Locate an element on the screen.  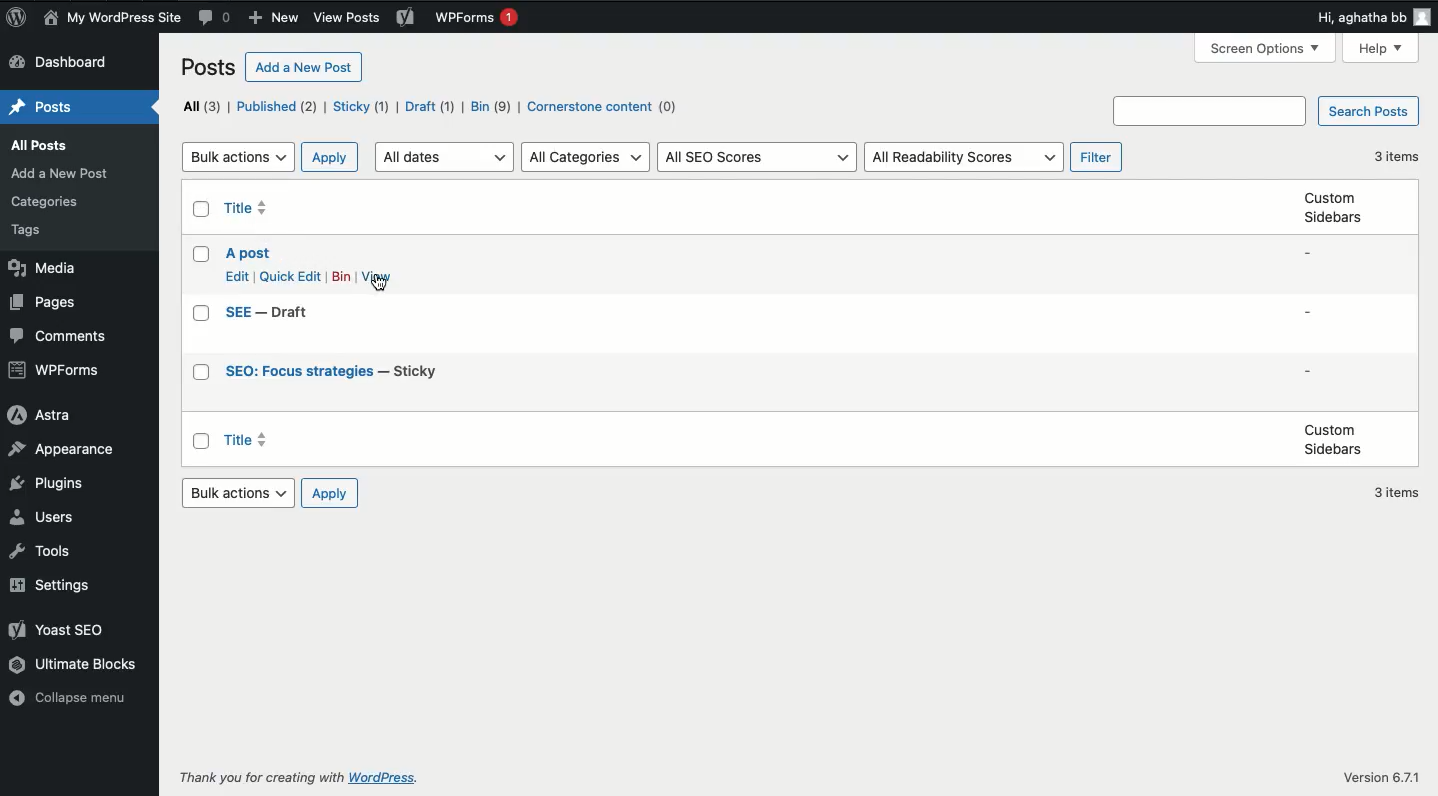
Settings is located at coordinates (56, 586).